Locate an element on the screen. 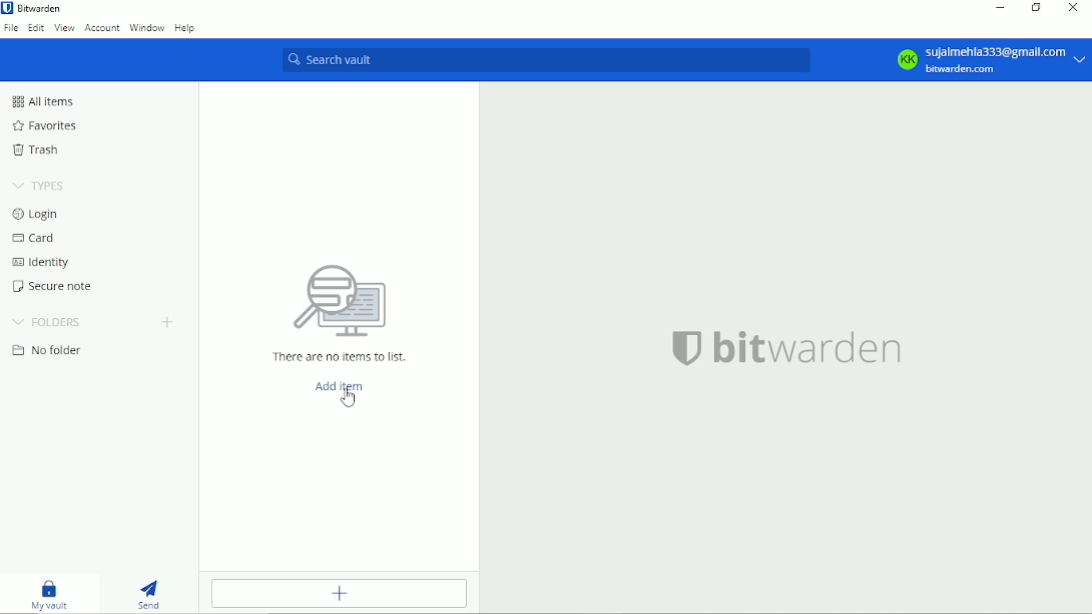  cursor is located at coordinates (350, 398).